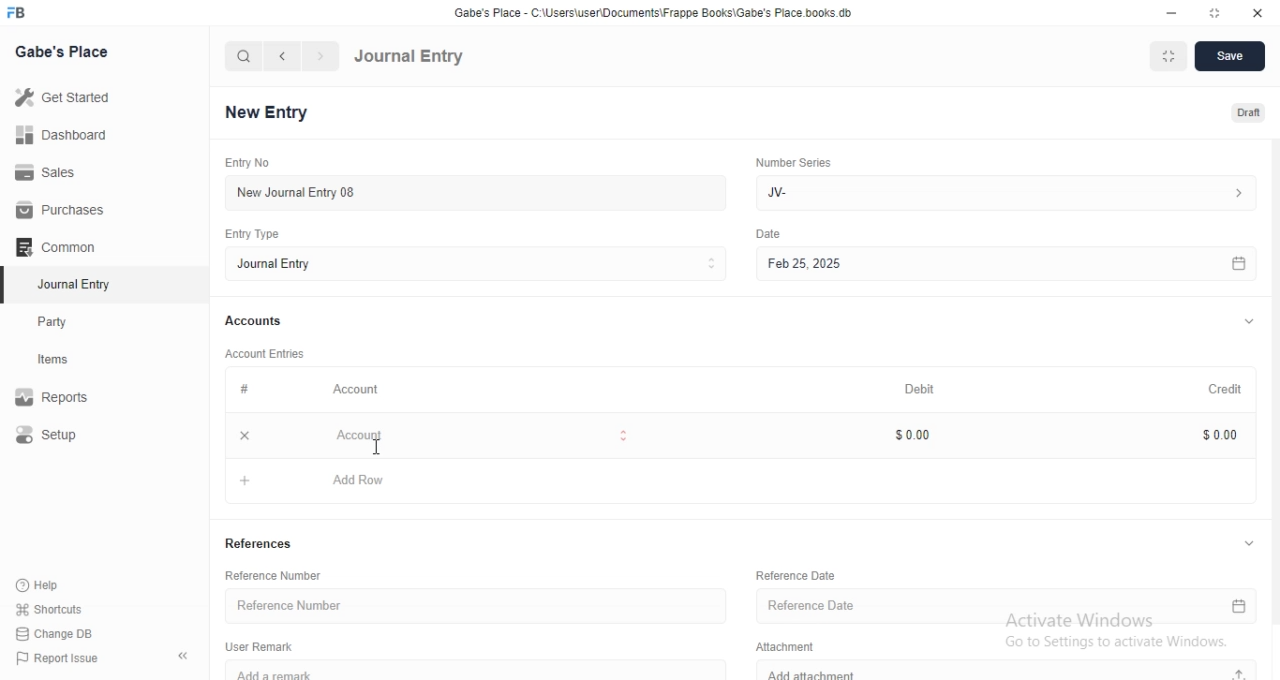  Describe the element at coordinates (1248, 323) in the screenshot. I see `expand/collapse` at that location.